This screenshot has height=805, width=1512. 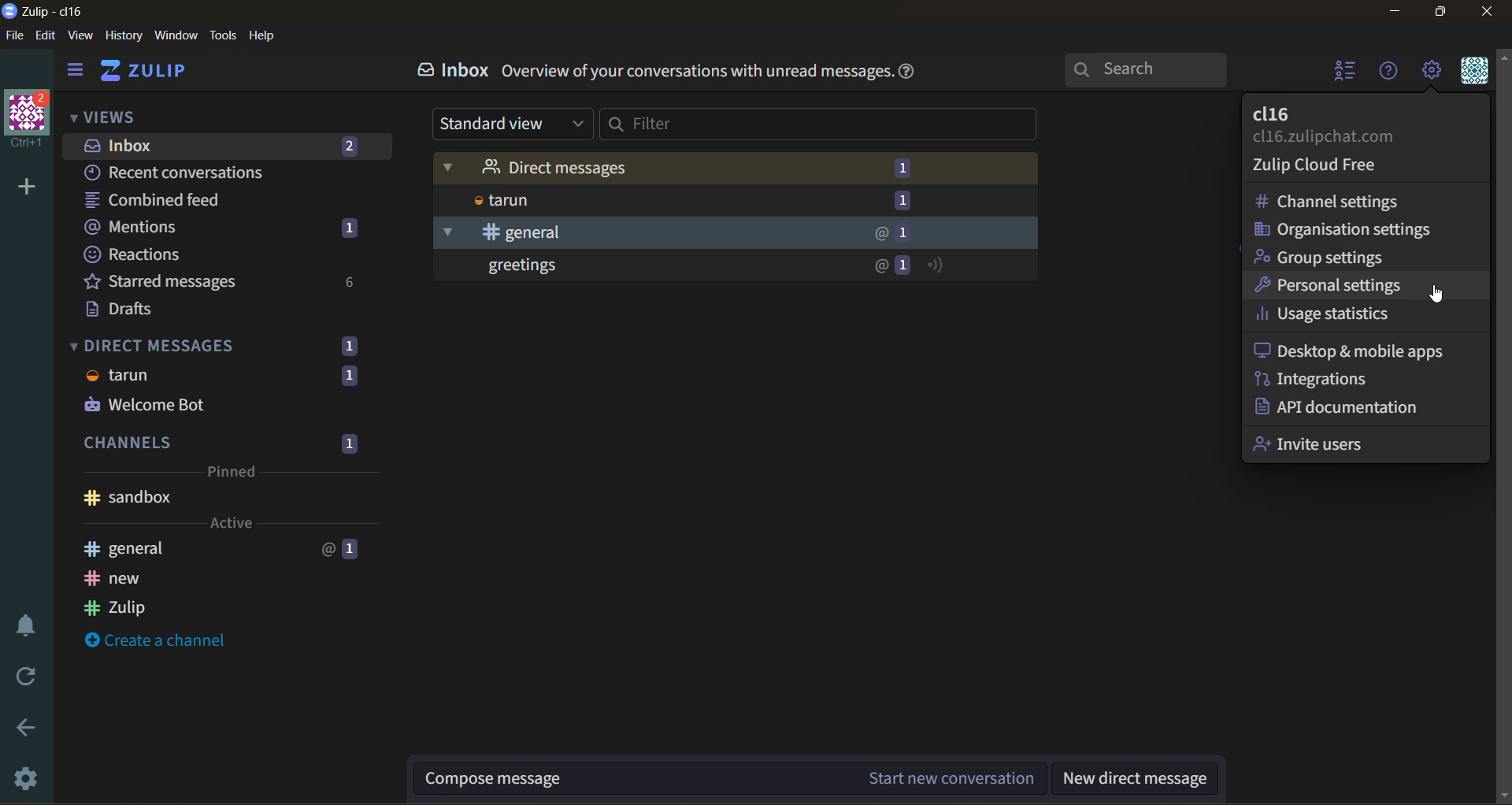 What do you see at coordinates (204, 201) in the screenshot?
I see `combined feed` at bounding box center [204, 201].